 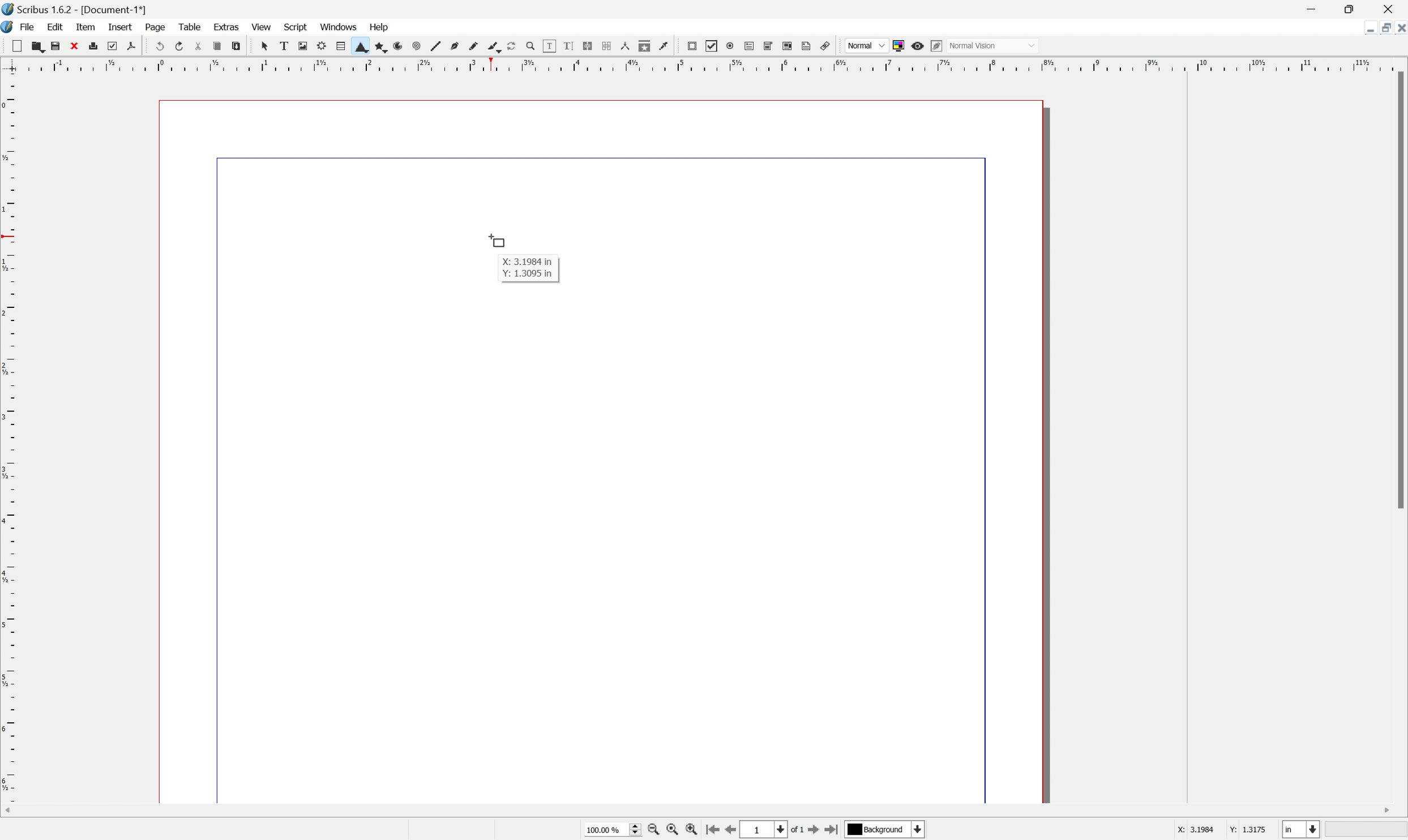 What do you see at coordinates (267, 48) in the screenshot?
I see `Select frame` at bounding box center [267, 48].